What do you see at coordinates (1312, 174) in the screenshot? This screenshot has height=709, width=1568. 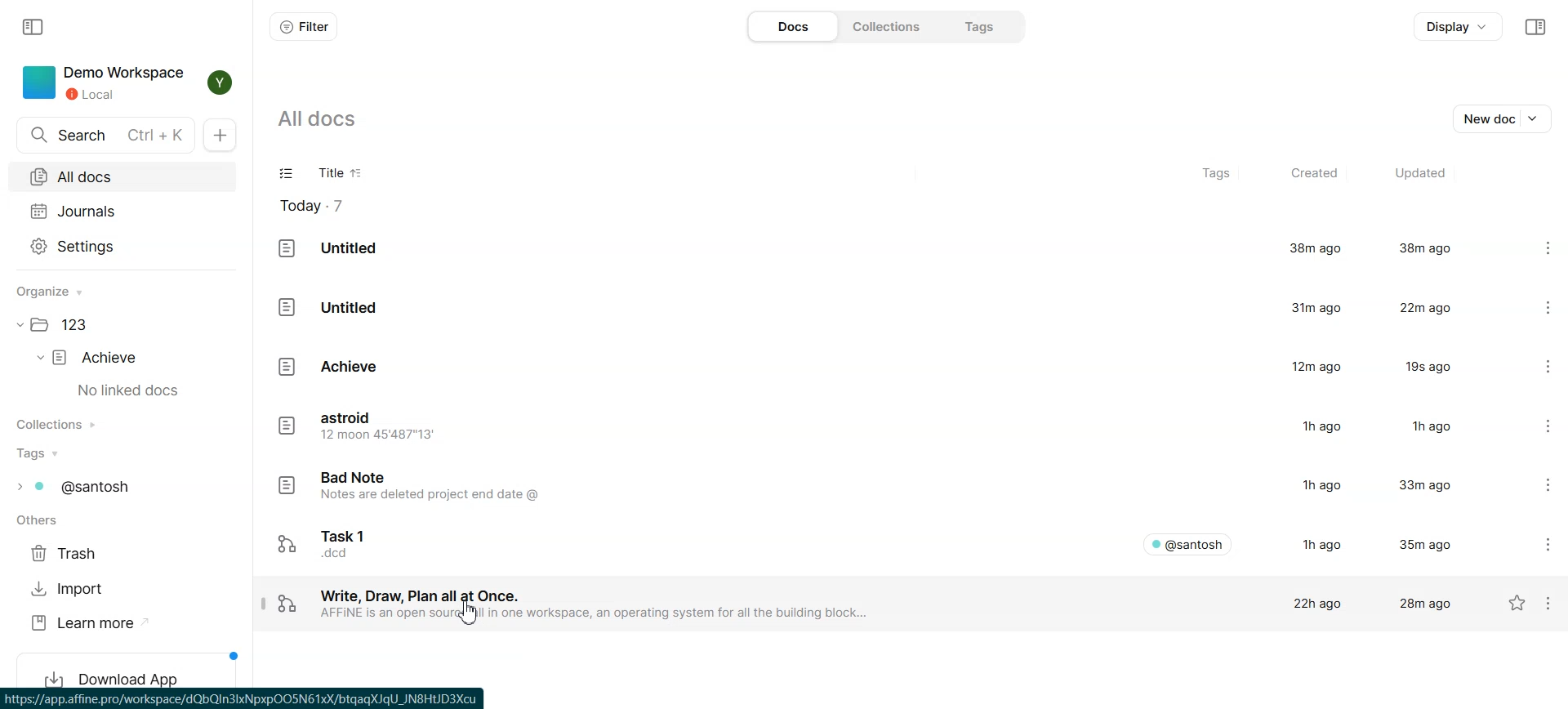 I see `Created` at bounding box center [1312, 174].